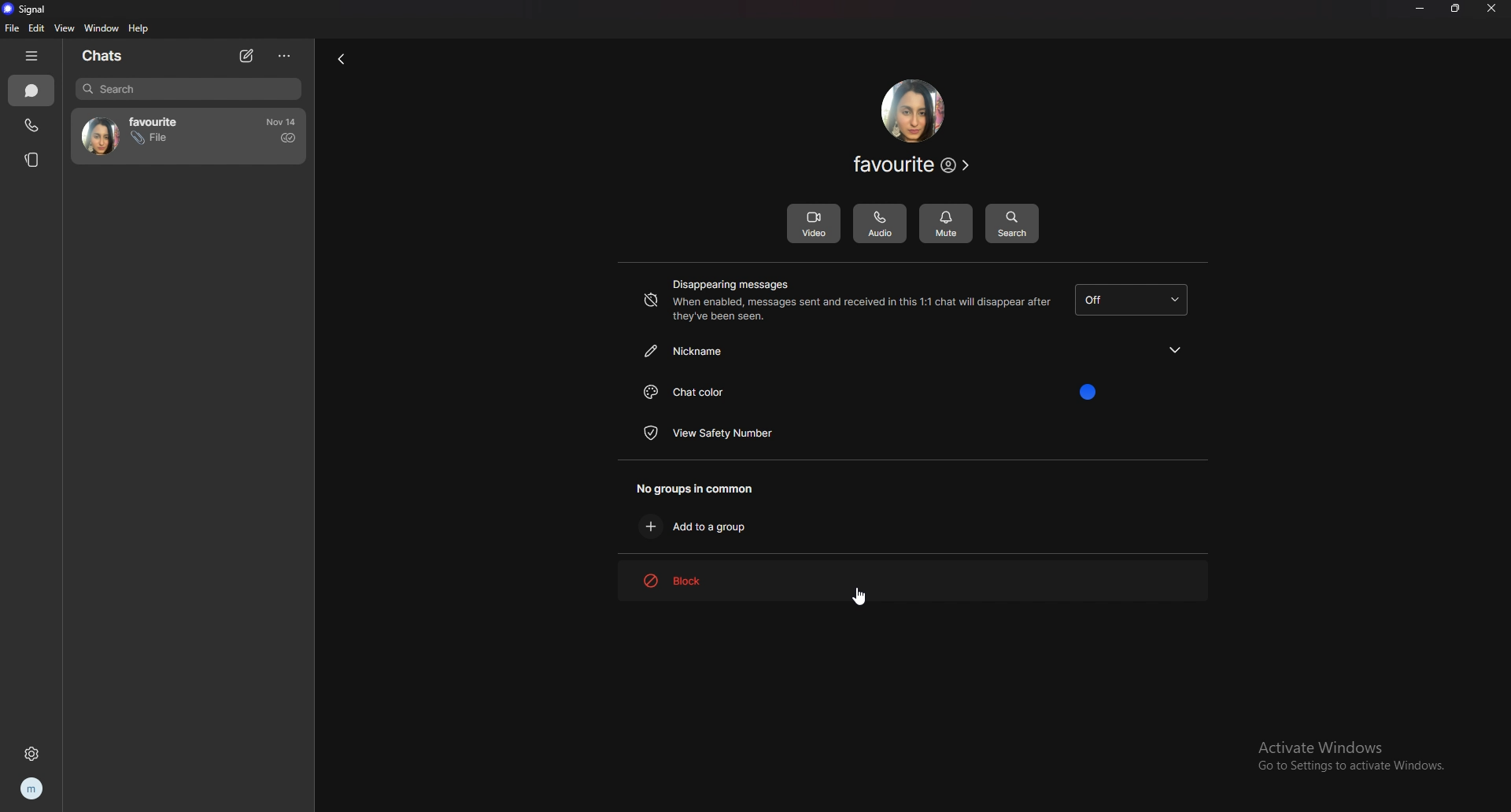 The width and height of the screenshot is (1511, 812). What do you see at coordinates (709, 432) in the screenshot?
I see `view safety number` at bounding box center [709, 432].